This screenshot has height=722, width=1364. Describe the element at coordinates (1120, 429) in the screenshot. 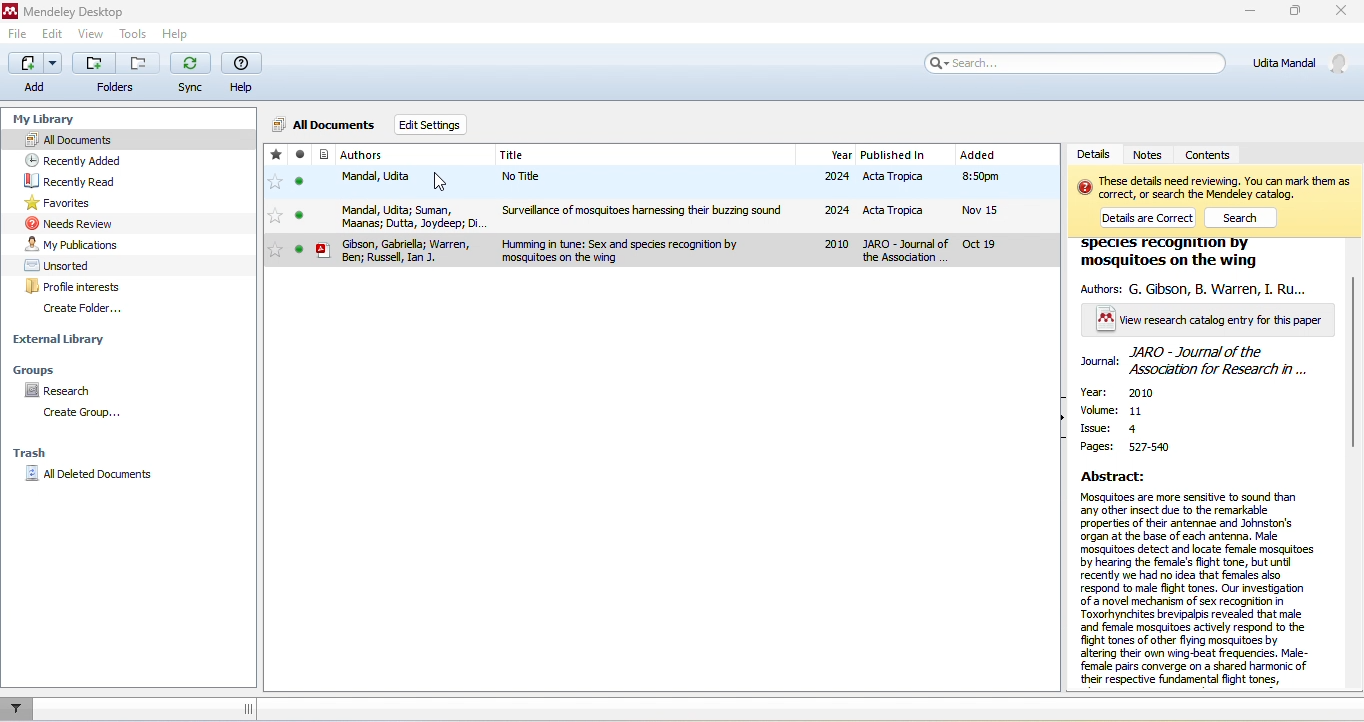

I see `issue :4` at that location.